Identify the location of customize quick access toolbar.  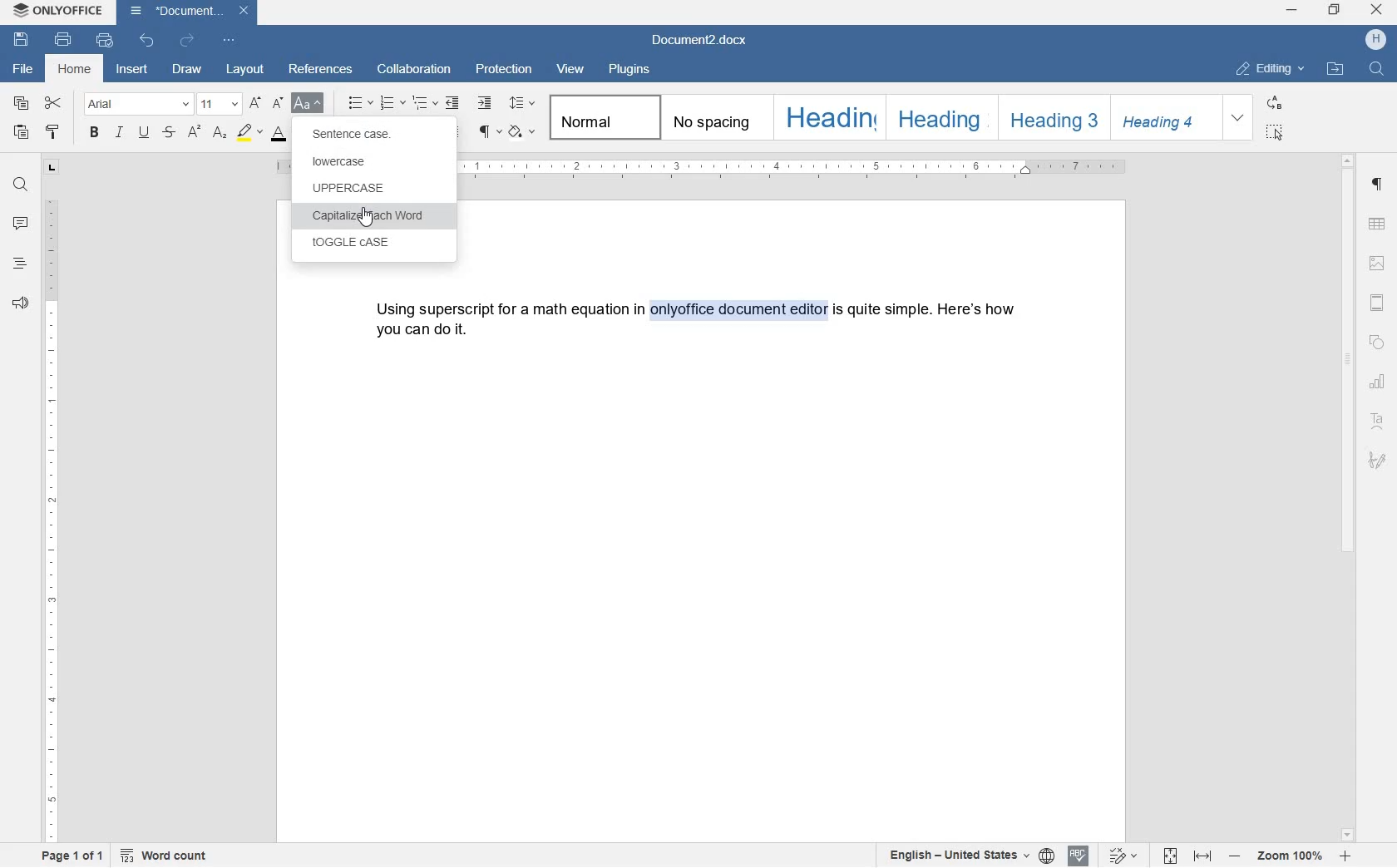
(227, 40).